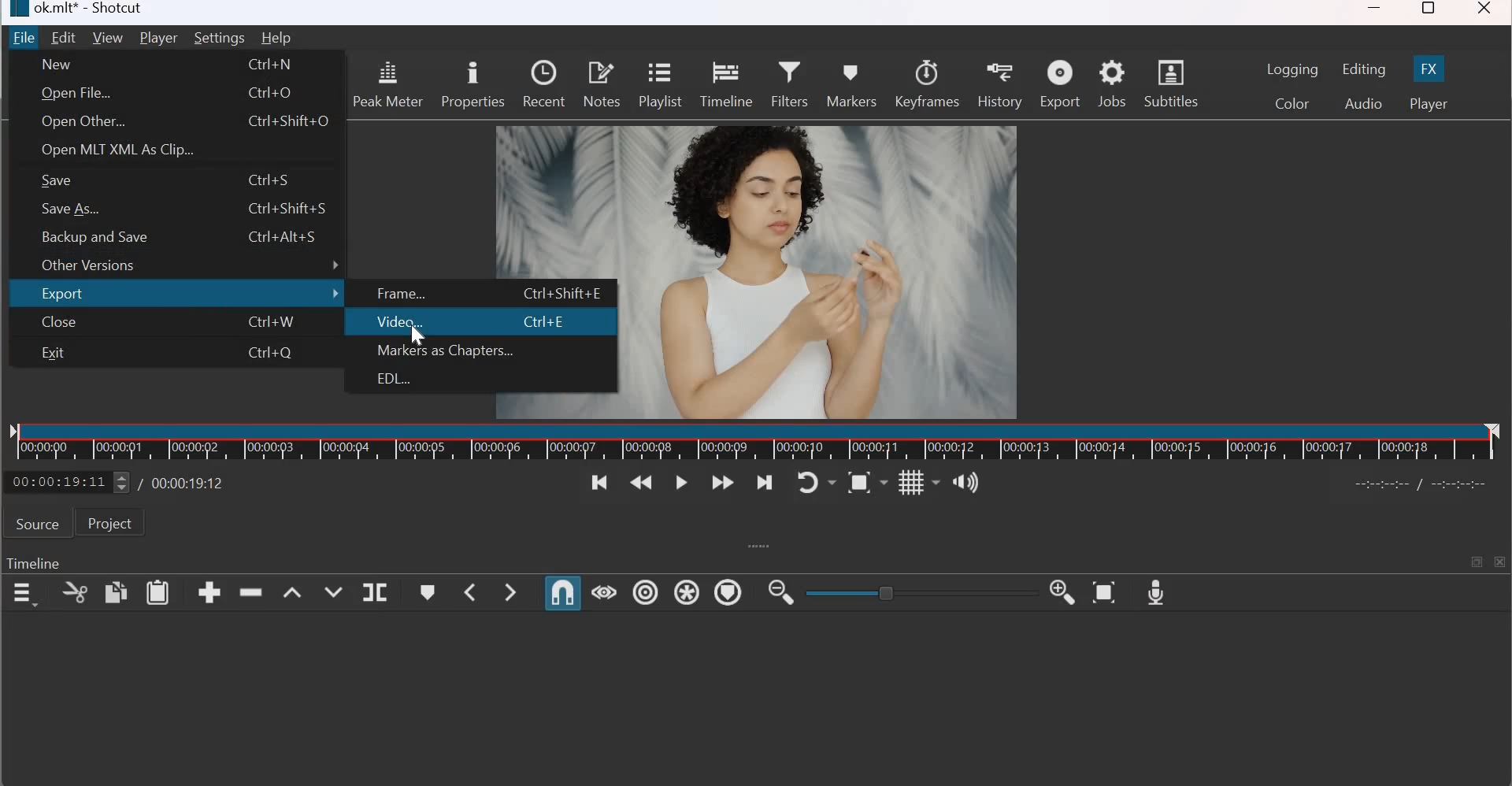  What do you see at coordinates (69, 480) in the screenshot?
I see `current position` at bounding box center [69, 480].